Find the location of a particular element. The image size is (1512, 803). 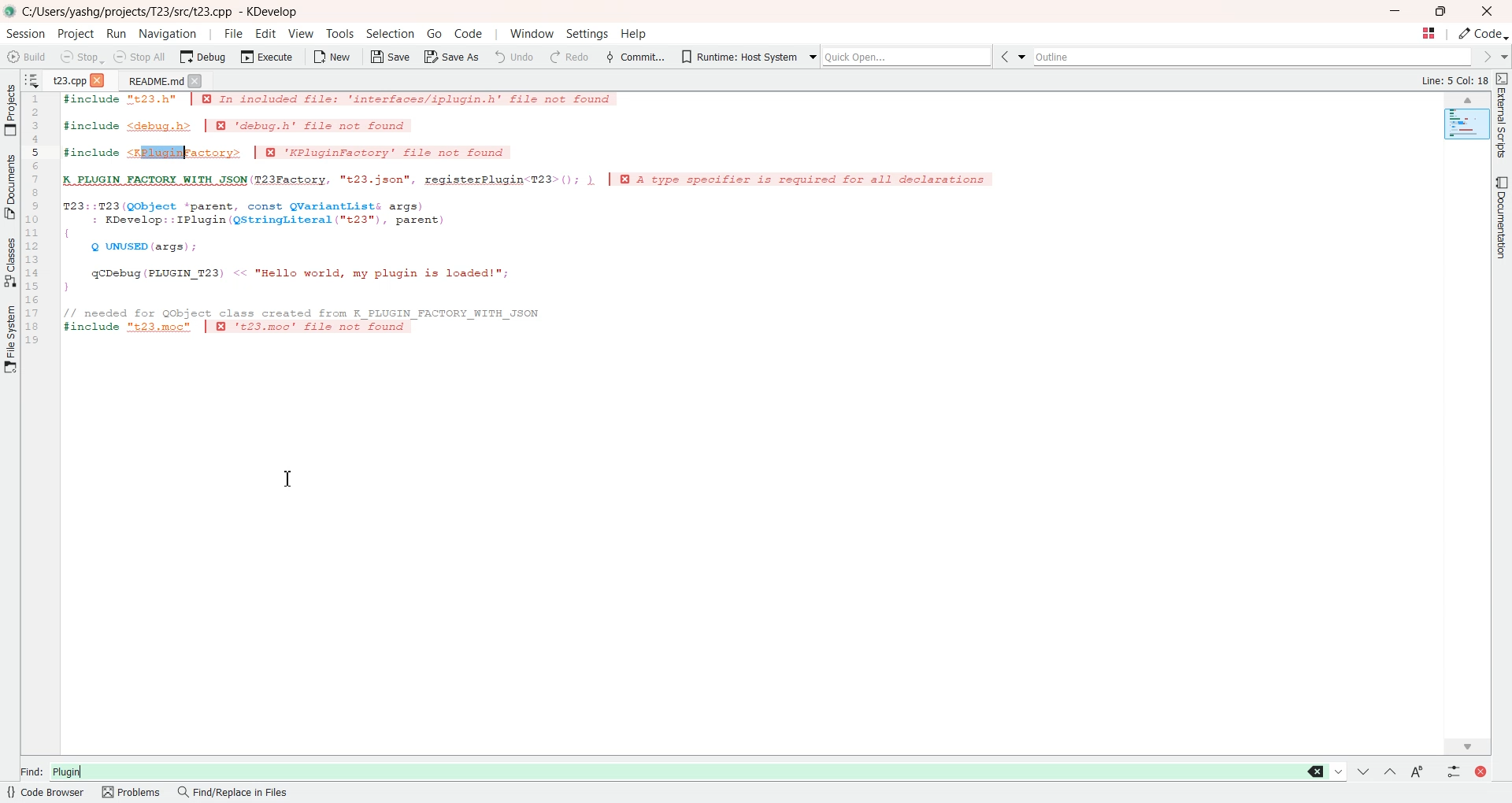

Outline is located at coordinates (1255, 57).